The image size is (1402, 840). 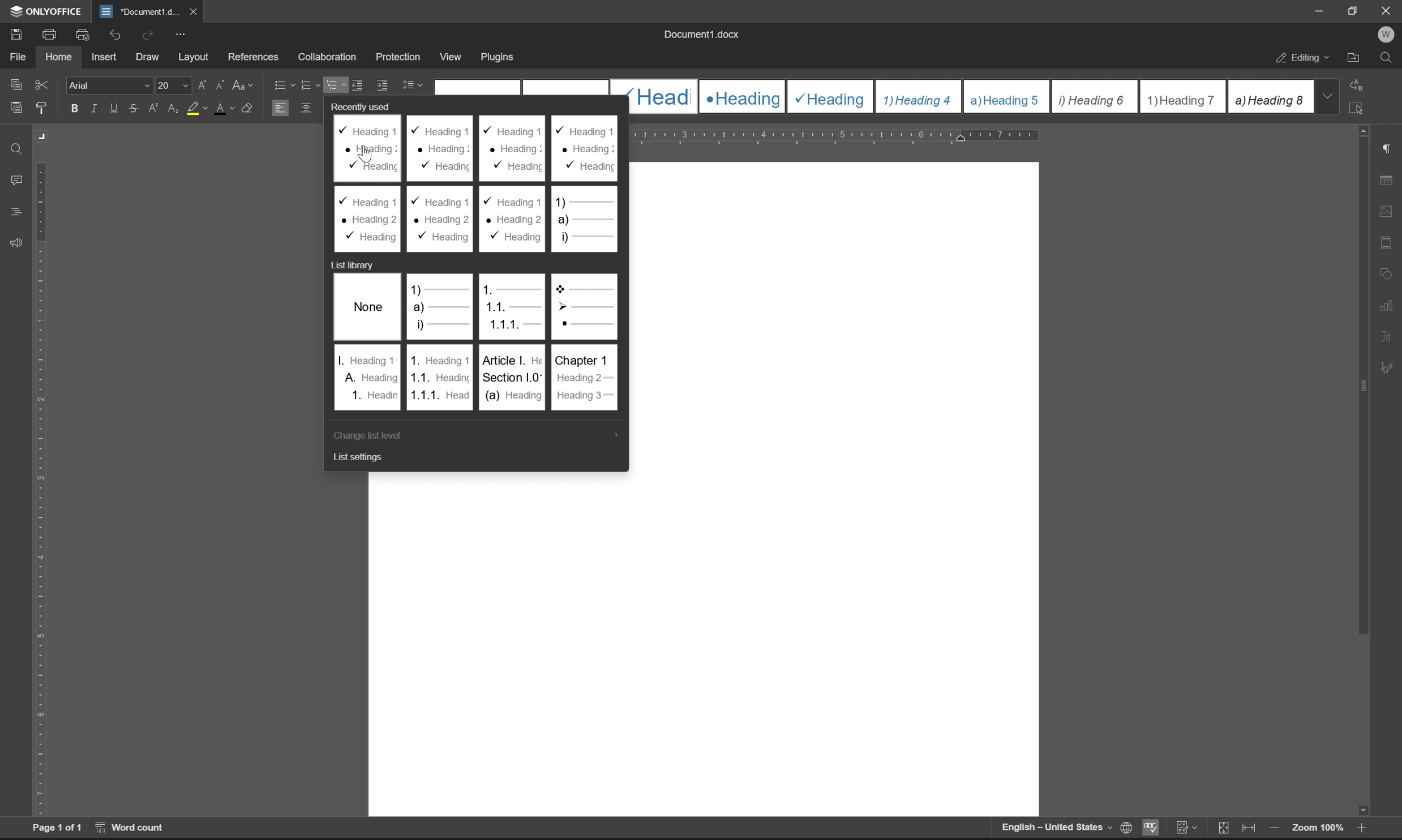 I want to click on ruler, so click(x=41, y=488).